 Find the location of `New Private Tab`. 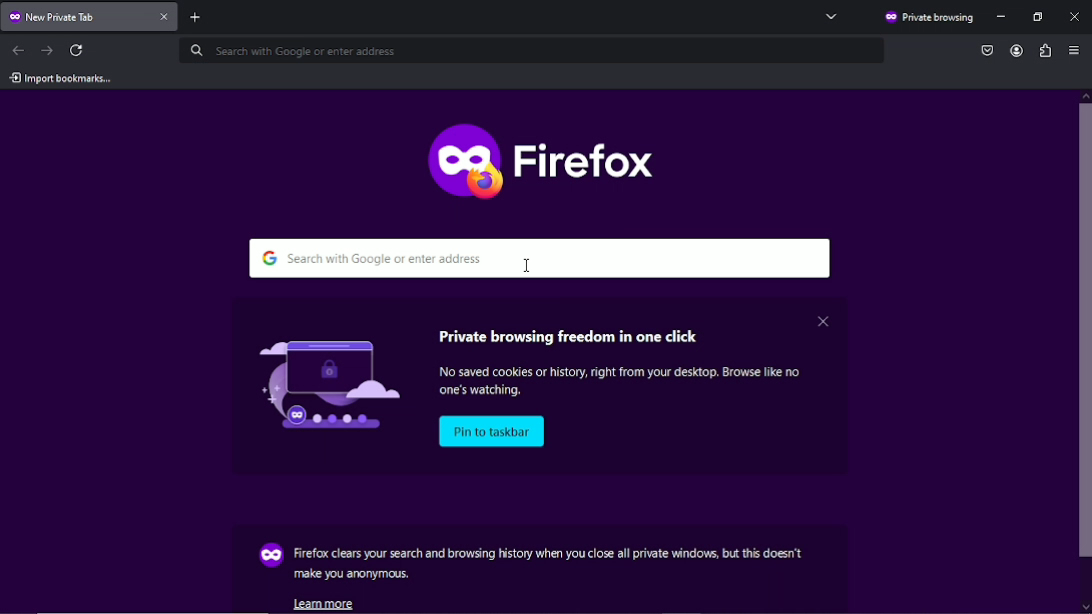

New Private Tab is located at coordinates (75, 16).